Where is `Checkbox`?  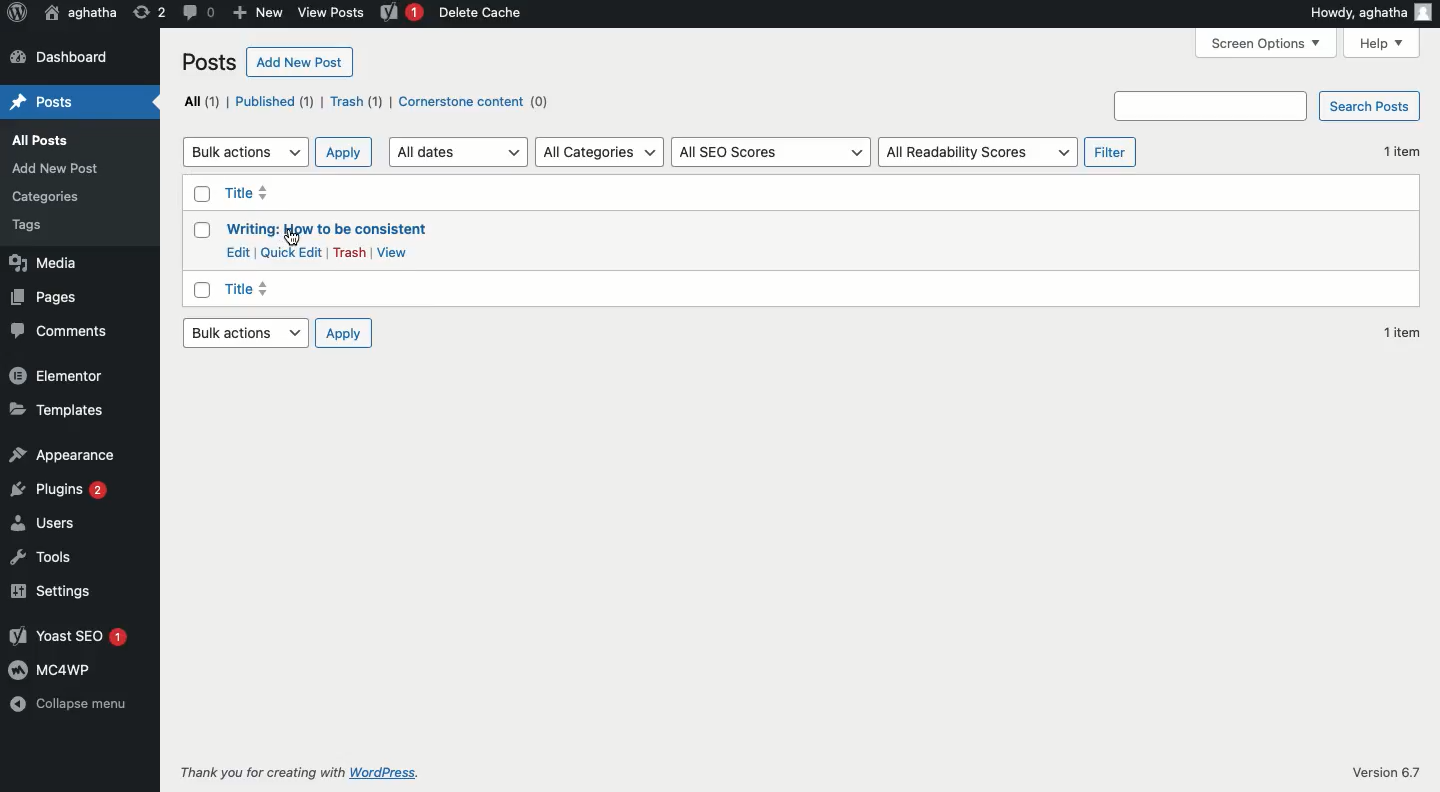
Checkbox is located at coordinates (204, 242).